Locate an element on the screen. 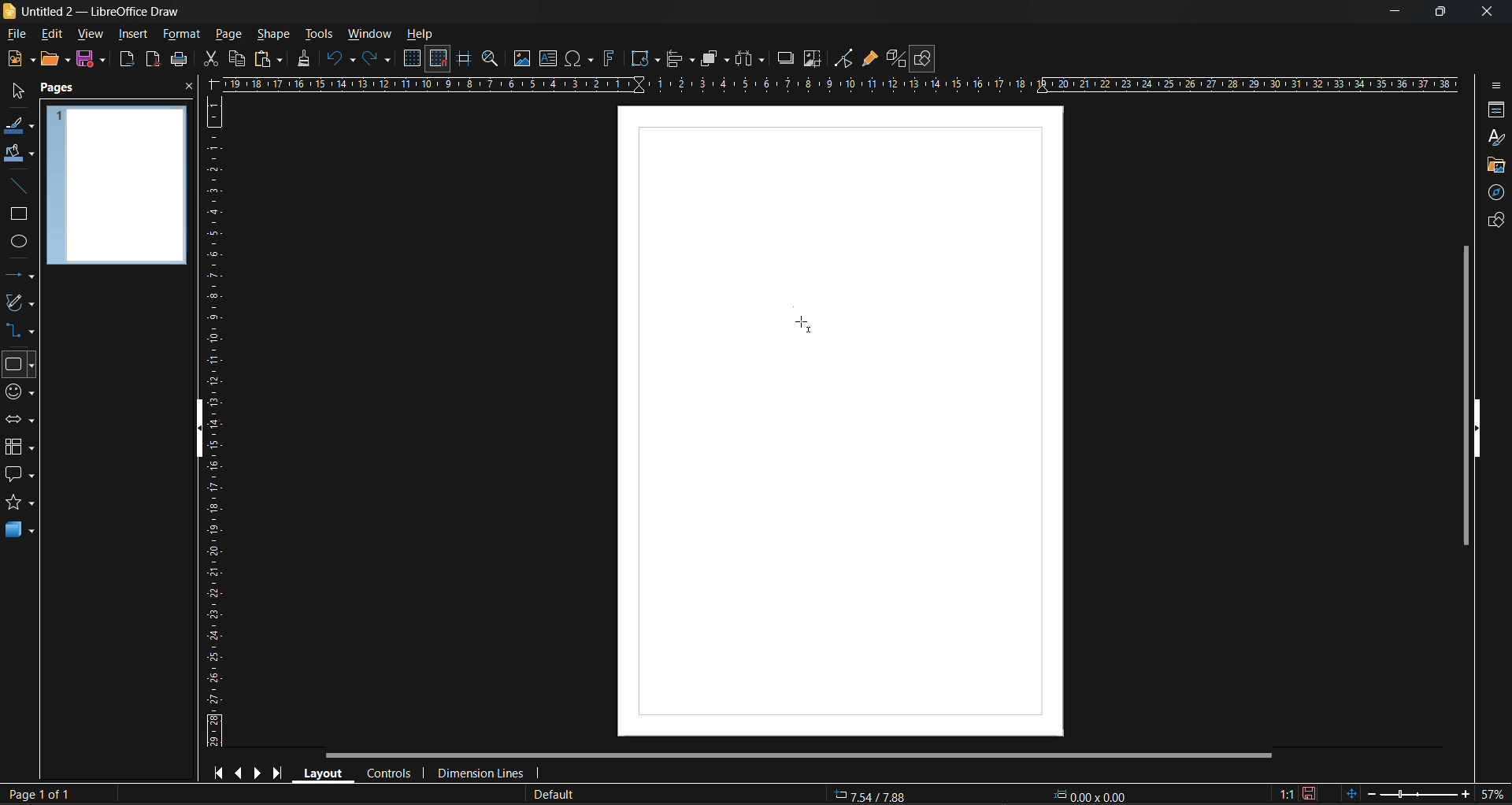 This screenshot has height=805, width=1512. horizontal scale is located at coordinates (839, 84).